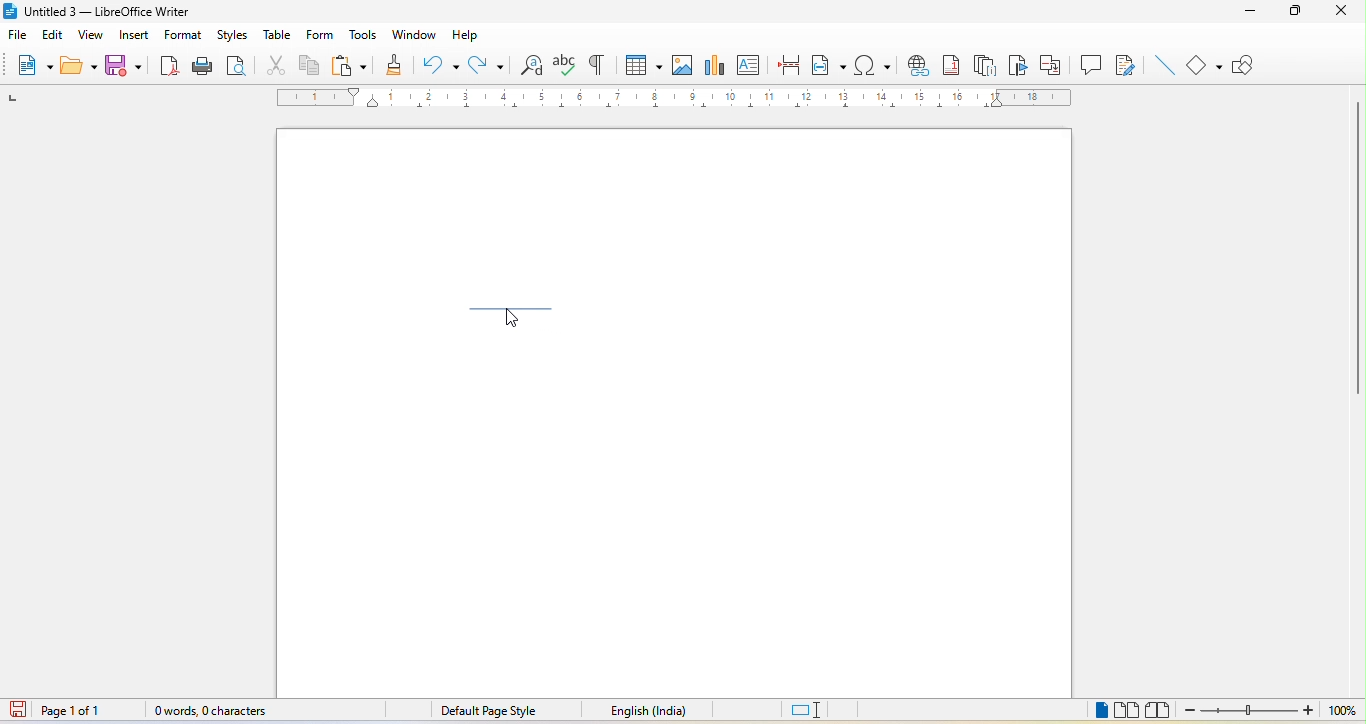 Image resolution: width=1366 pixels, height=724 pixels. What do you see at coordinates (752, 64) in the screenshot?
I see `text box` at bounding box center [752, 64].